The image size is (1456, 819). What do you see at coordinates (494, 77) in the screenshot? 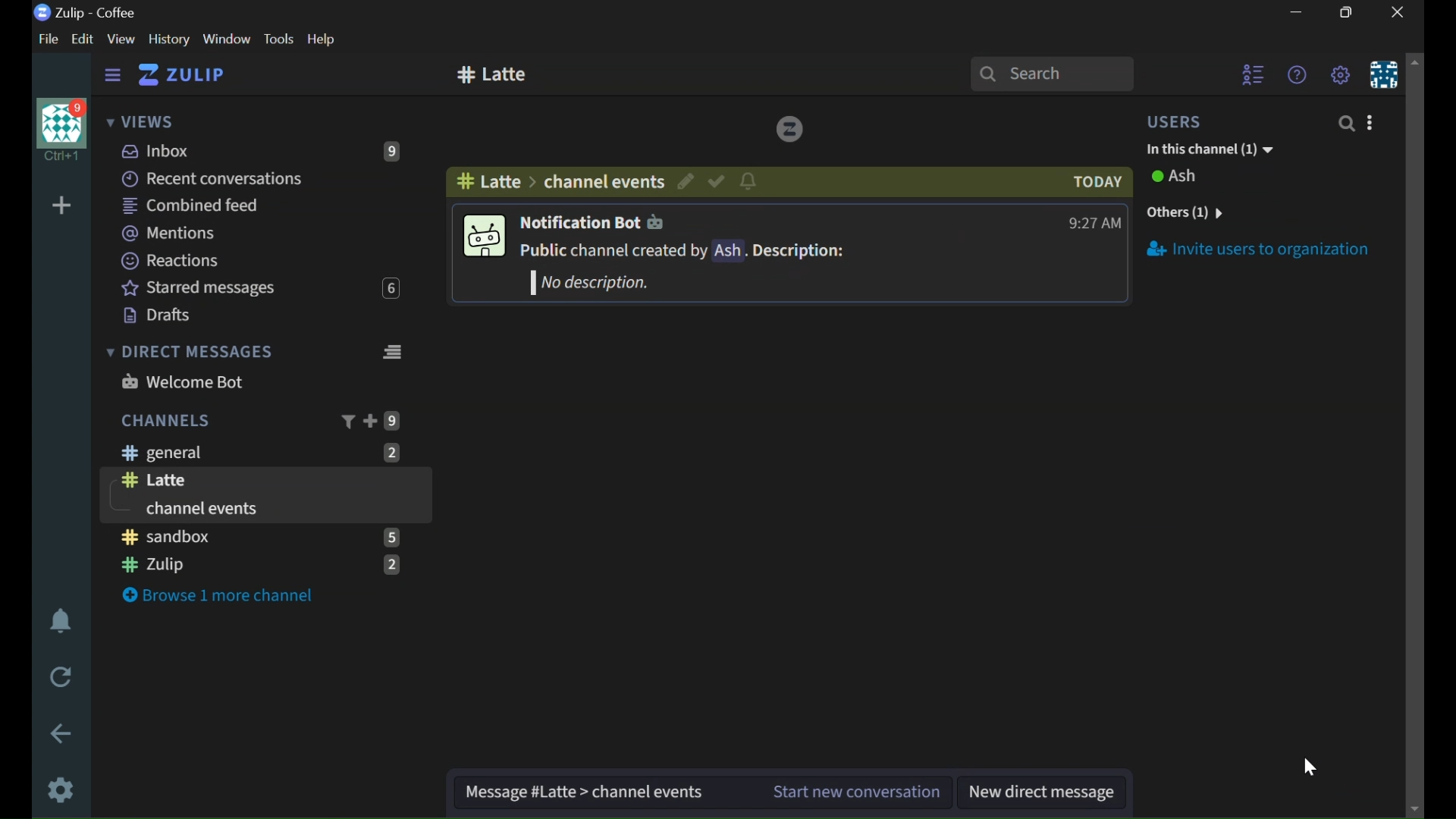
I see `New channel` at bounding box center [494, 77].